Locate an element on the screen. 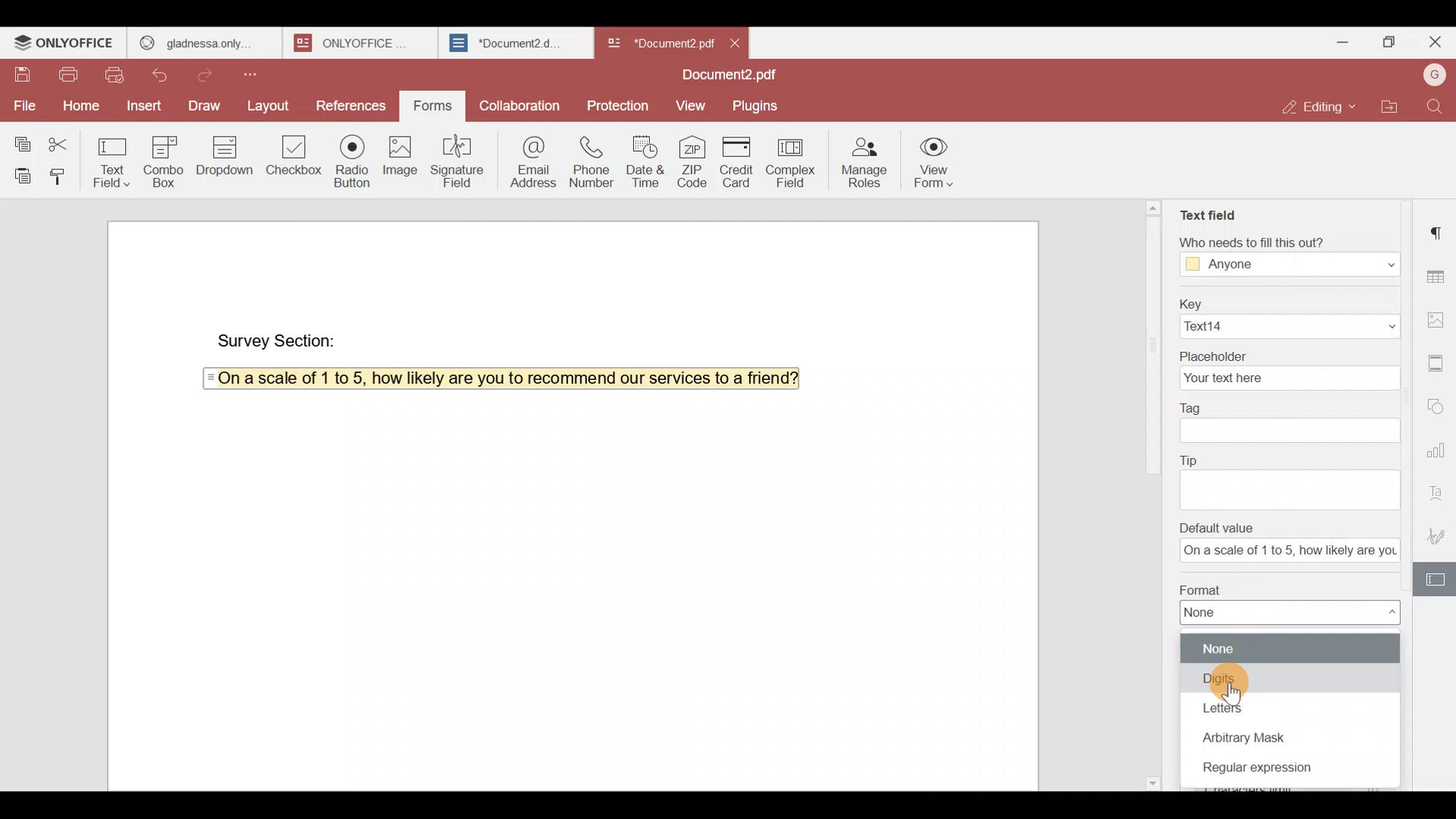 This screenshot has width=1456, height=819. Arbitrary mask is located at coordinates (1239, 736).